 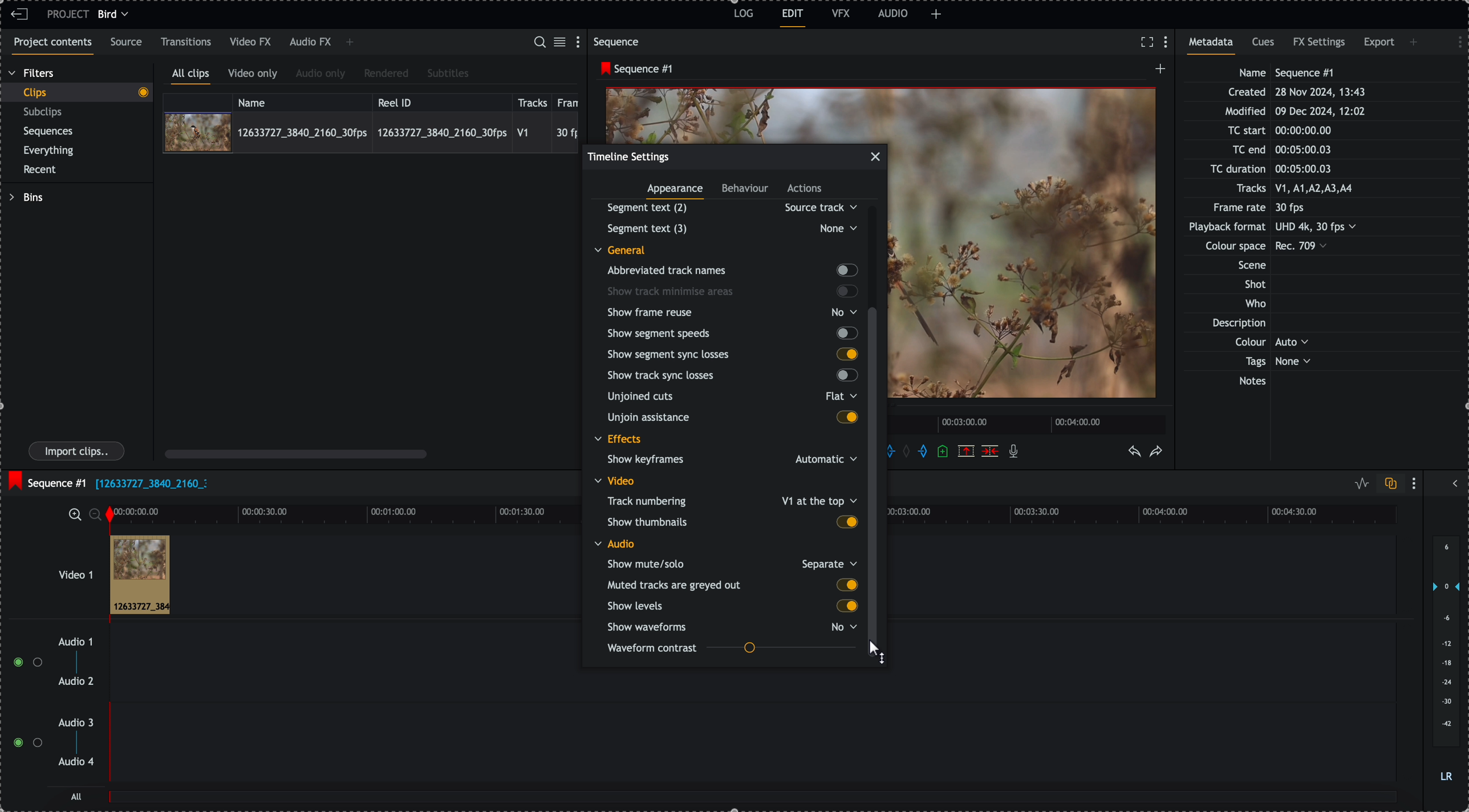 I want to click on remove the marked section, so click(x=966, y=450).